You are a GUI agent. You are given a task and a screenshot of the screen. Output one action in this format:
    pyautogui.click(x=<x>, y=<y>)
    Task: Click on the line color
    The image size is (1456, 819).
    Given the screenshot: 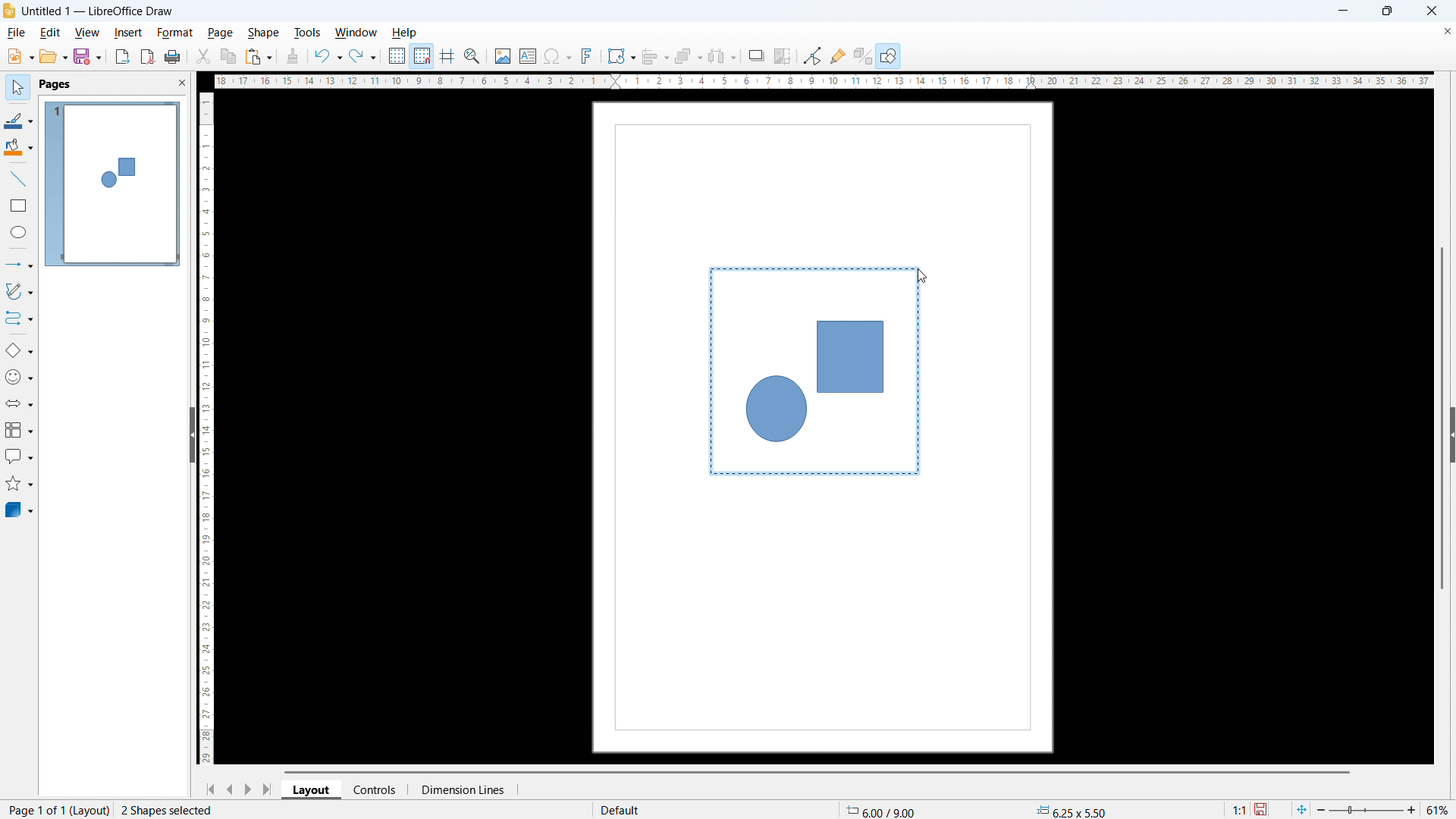 What is the action you would take?
    pyautogui.click(x=20, y=121)
    